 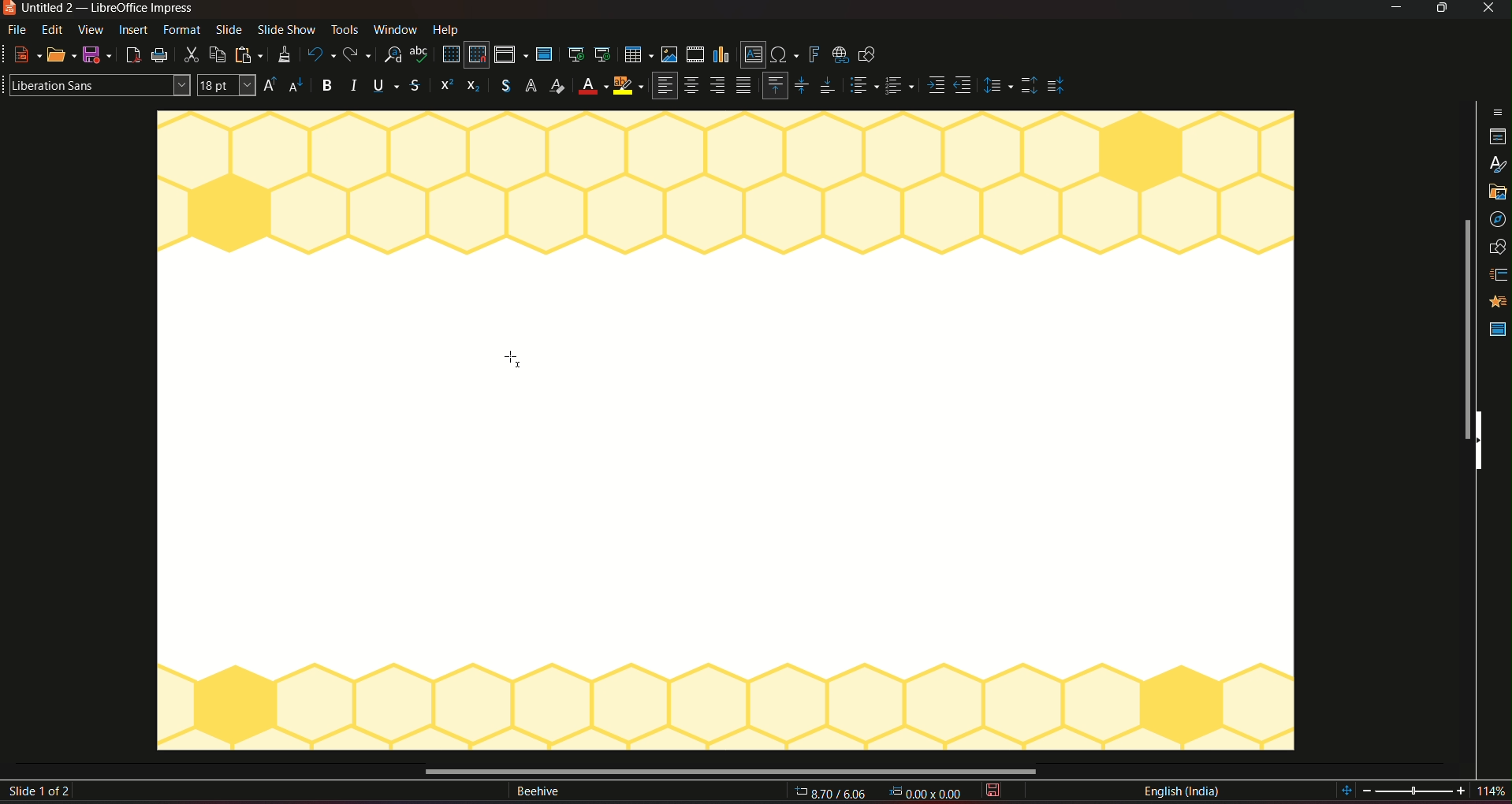 I want to click on export as pdf, so click(x=132, y=55).